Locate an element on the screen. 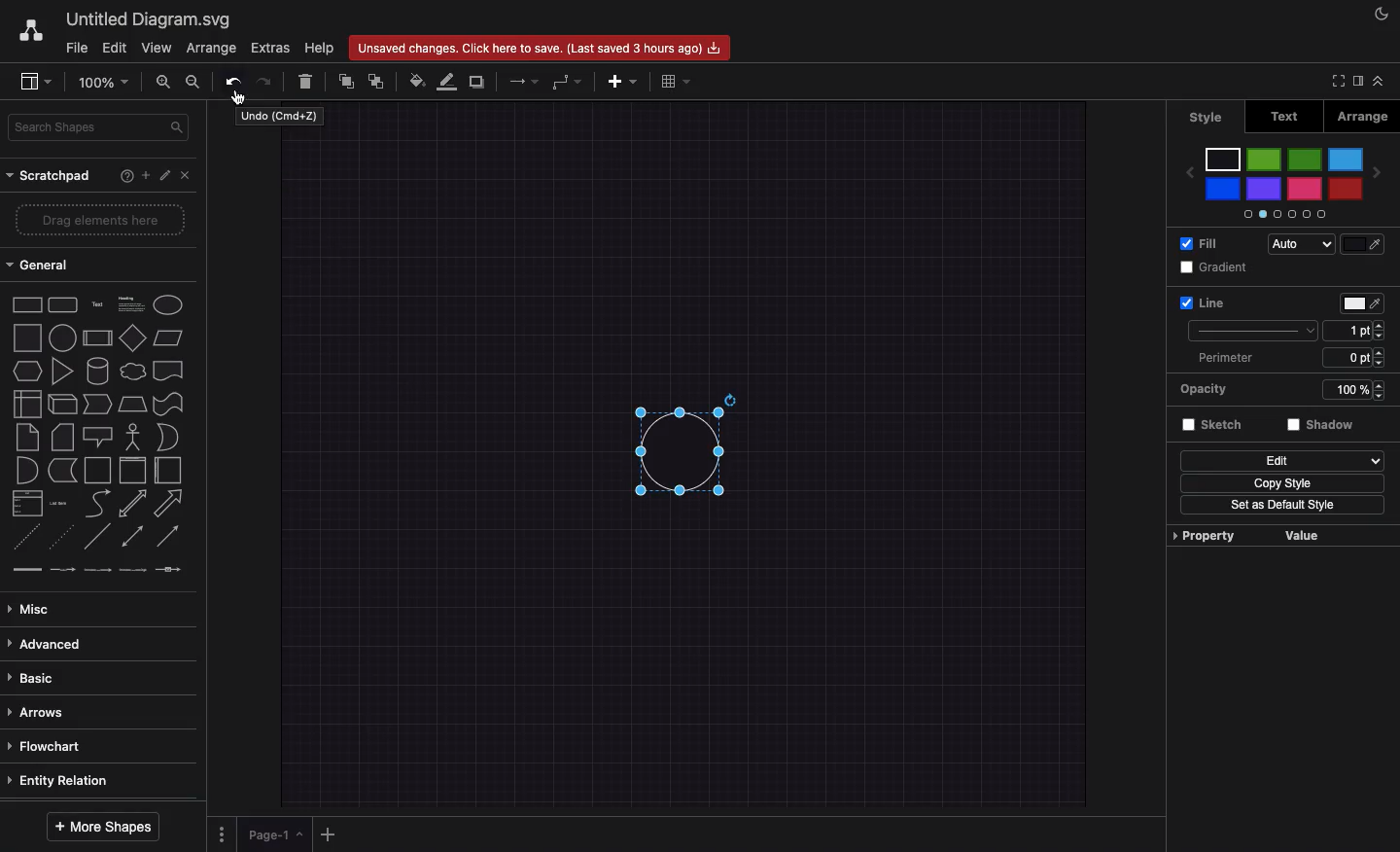  Sketch is located at coordinates (1216, 426).